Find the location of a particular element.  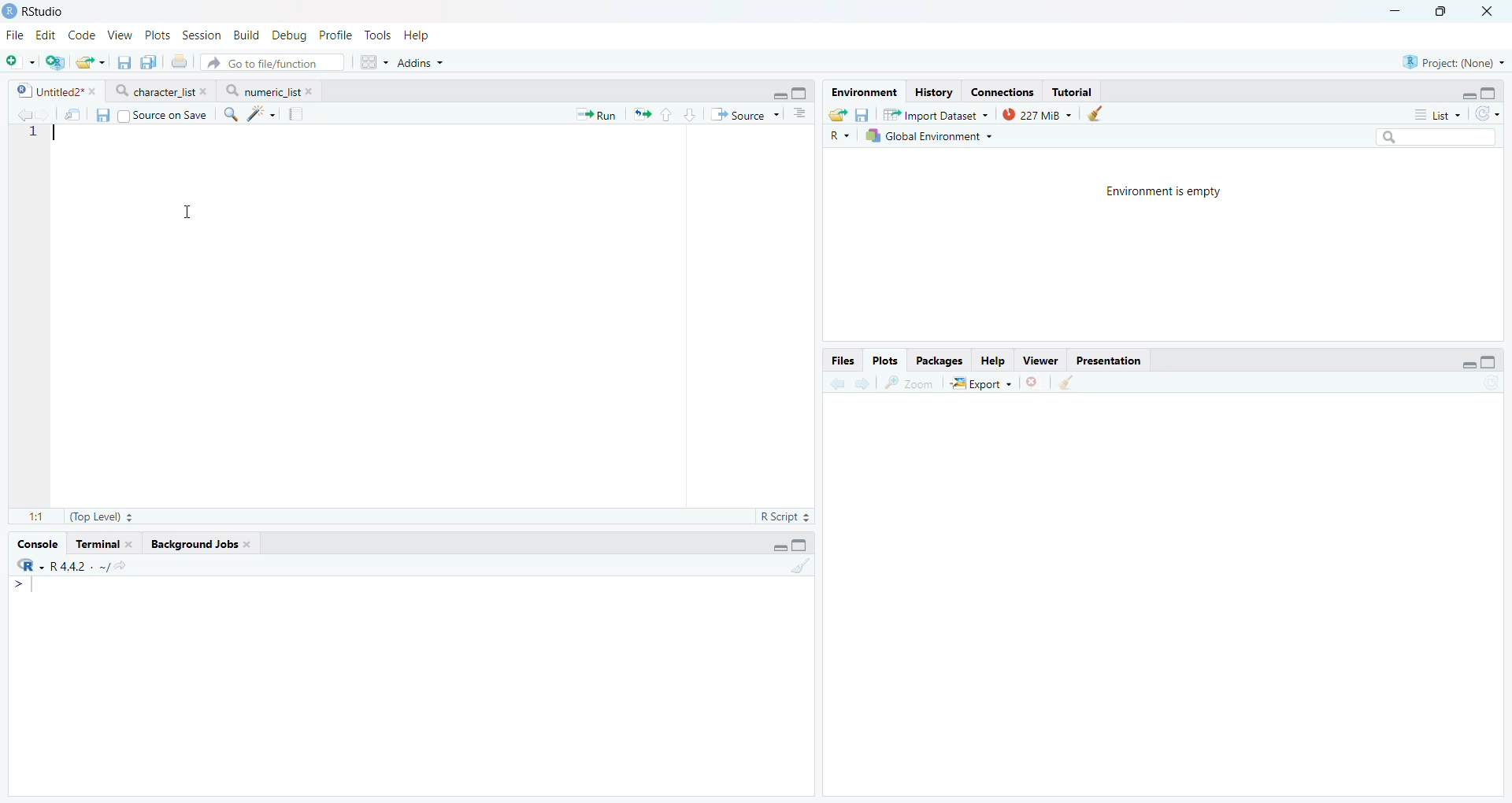

-=3 Export ~ is located at coordinates (980, 384).